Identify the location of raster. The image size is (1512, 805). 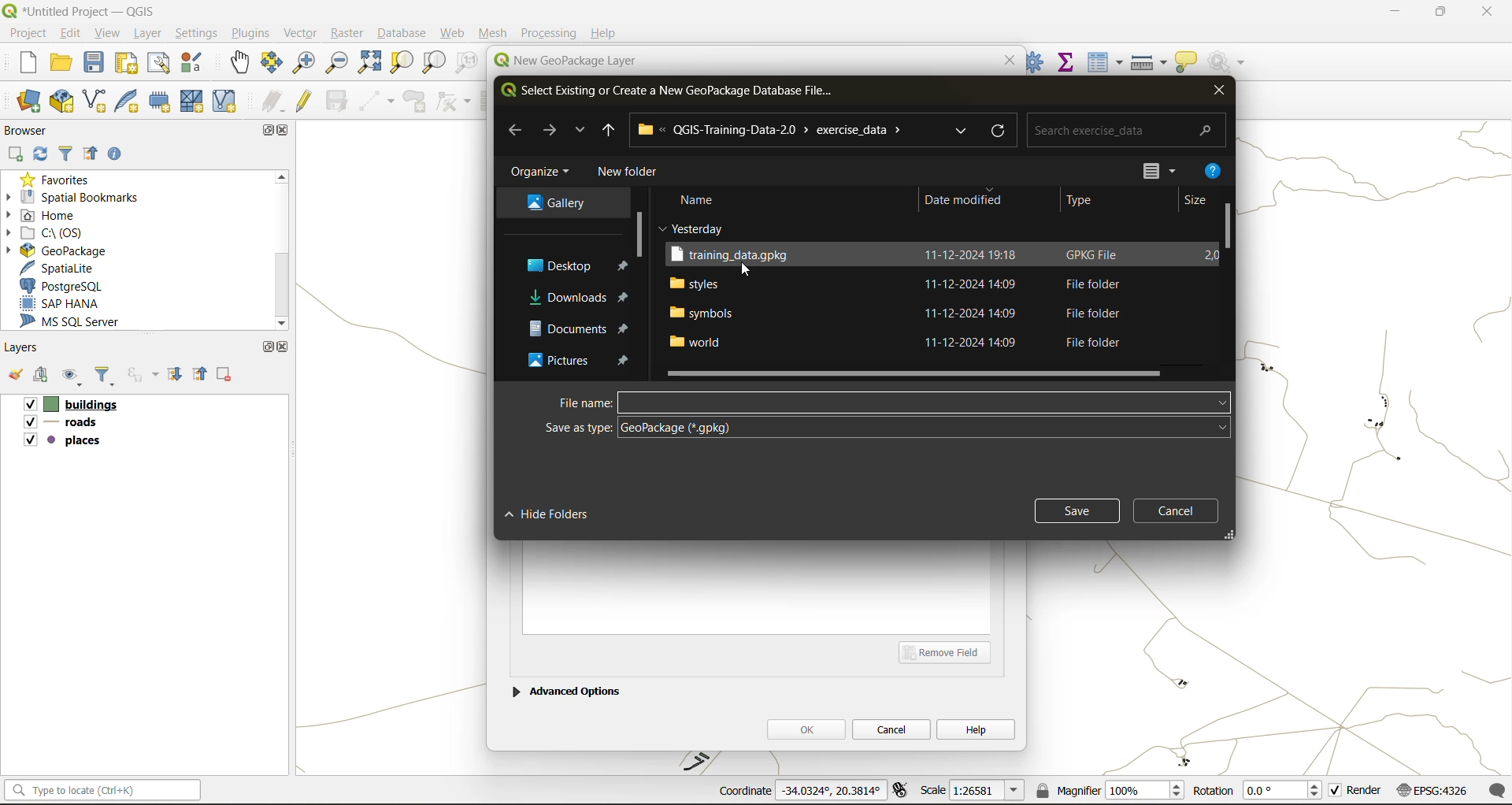
(347, 34).